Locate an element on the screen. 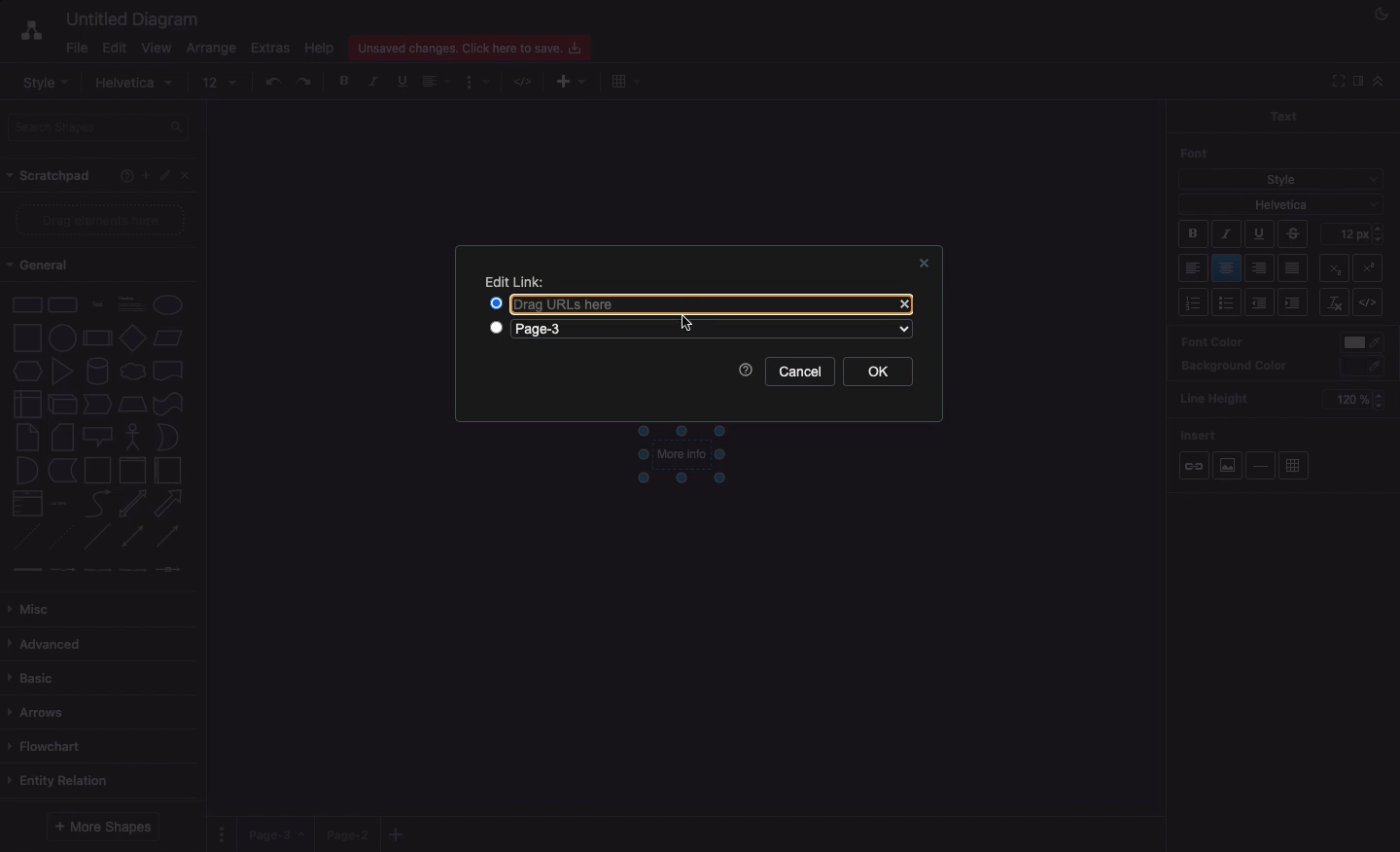 This screenshot has height=852, width=1400. List is located at coordinates (1192, 302).